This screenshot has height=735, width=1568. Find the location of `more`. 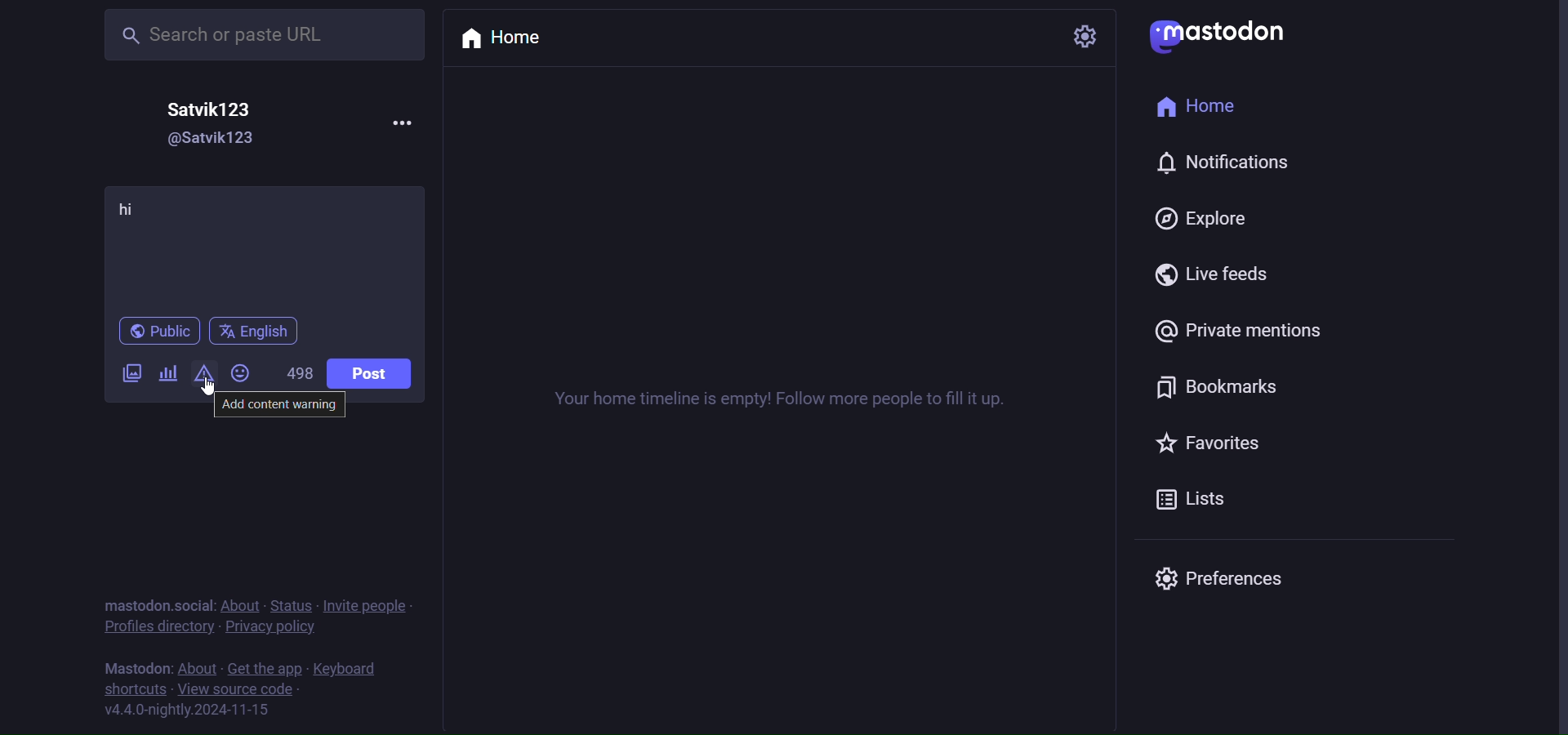

more is located at coordinates (393, 121).